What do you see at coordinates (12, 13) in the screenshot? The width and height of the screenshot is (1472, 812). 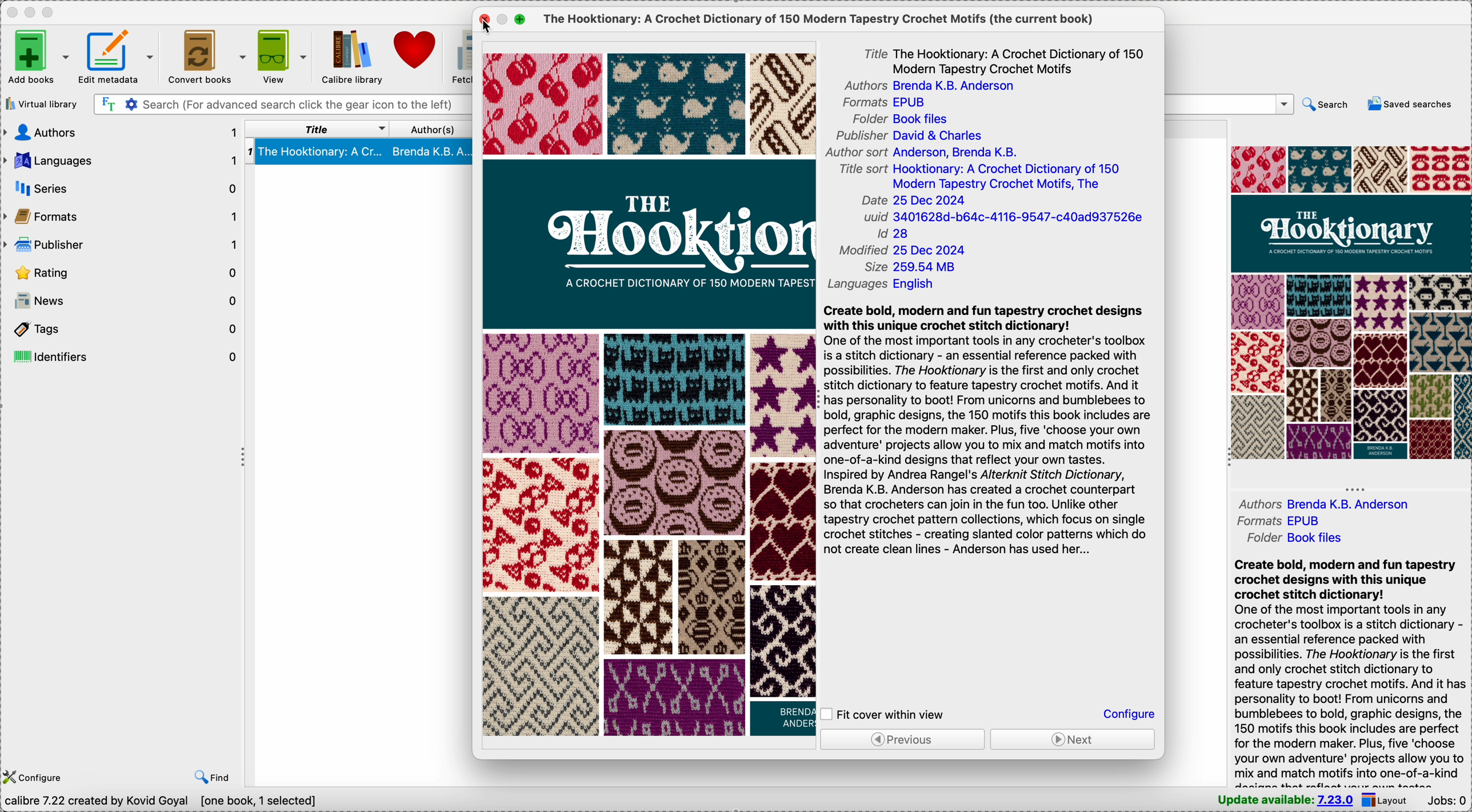 I see `close Calibre` at bounding box center [12, 13].